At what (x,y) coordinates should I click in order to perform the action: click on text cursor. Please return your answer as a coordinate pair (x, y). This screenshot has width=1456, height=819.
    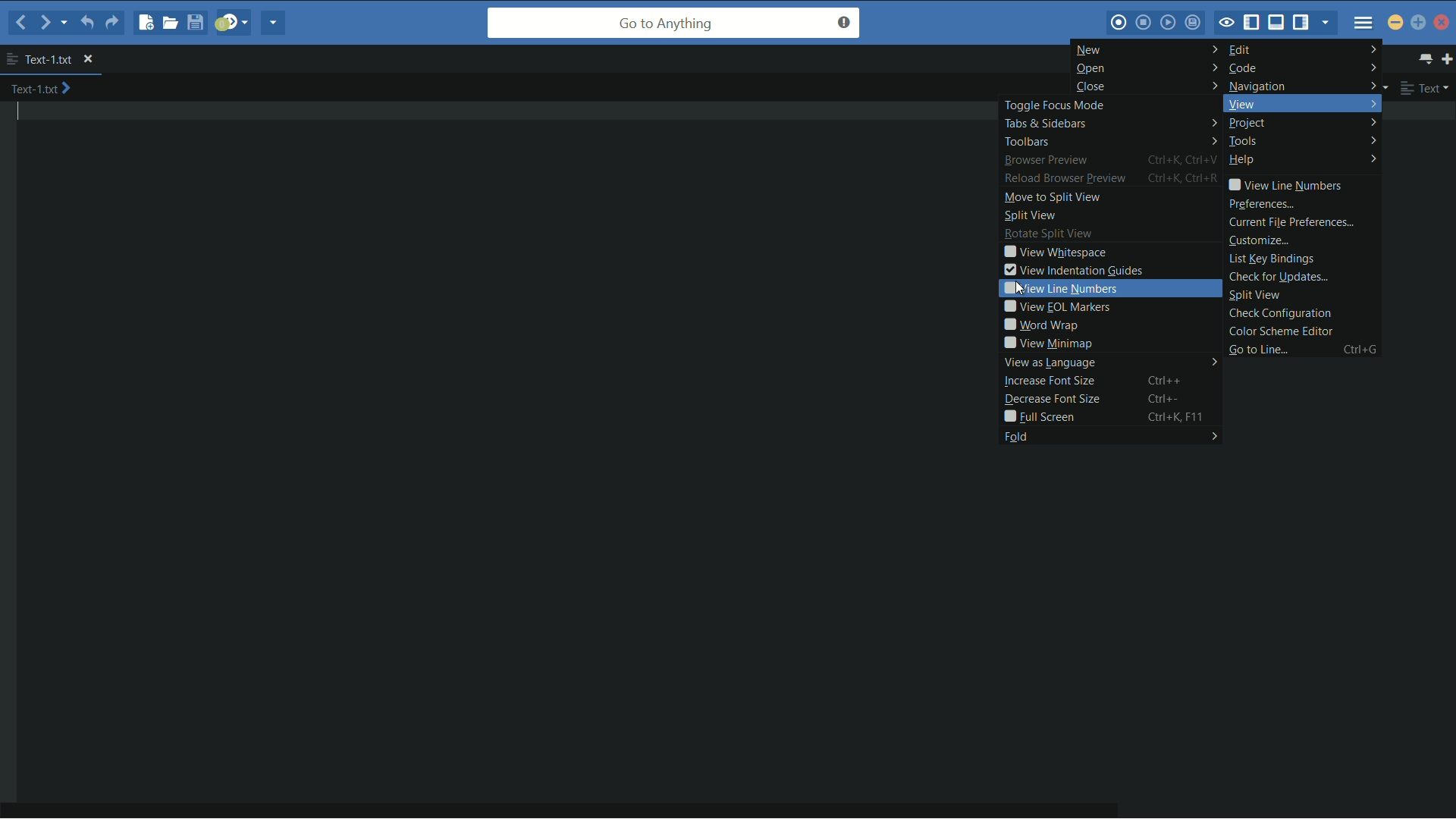
    Looking at the image, I should click on (24, 116).